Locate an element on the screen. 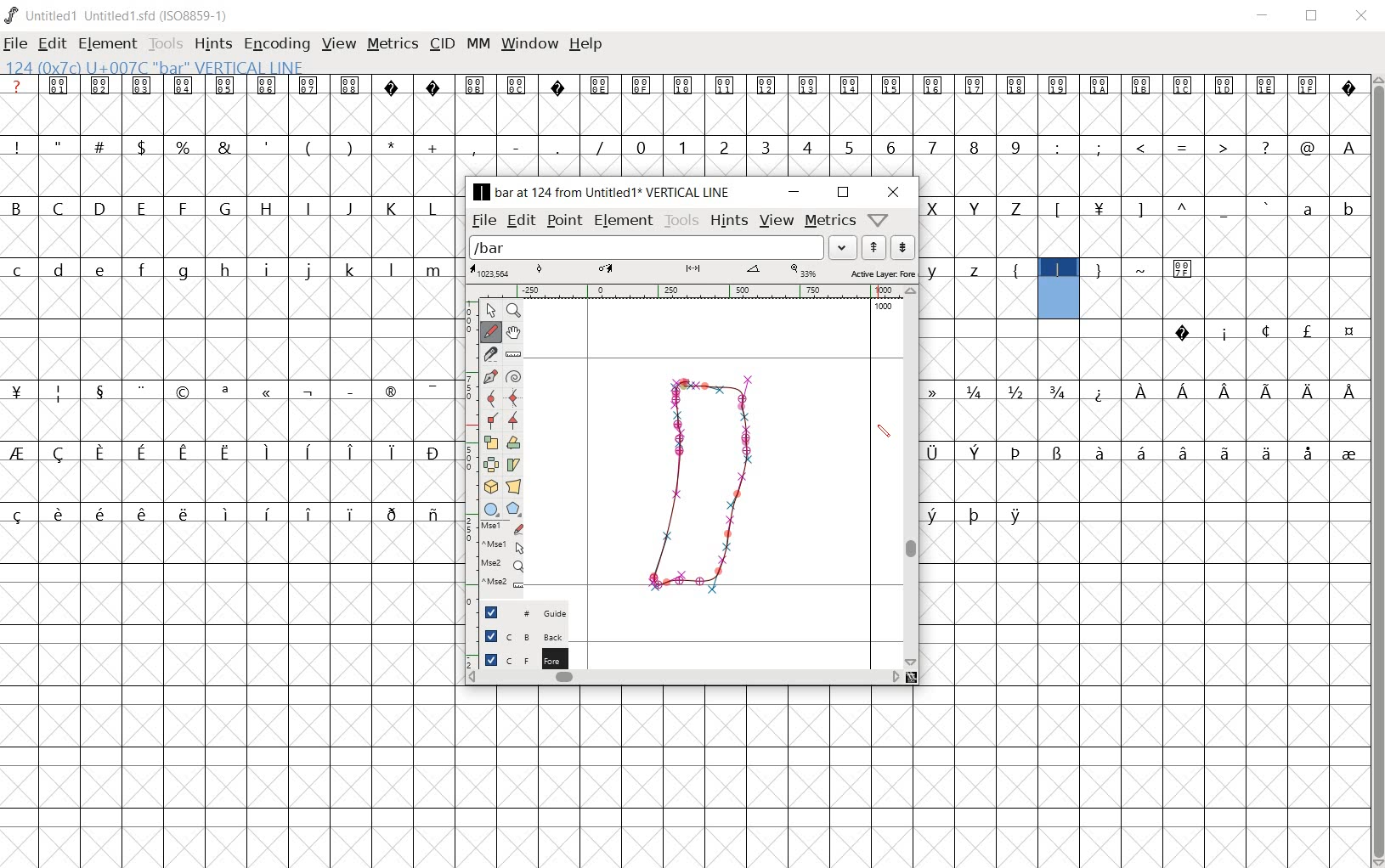 This screenshot has width=1385, height=868. empty cells is located at coordinates (1143, 480).